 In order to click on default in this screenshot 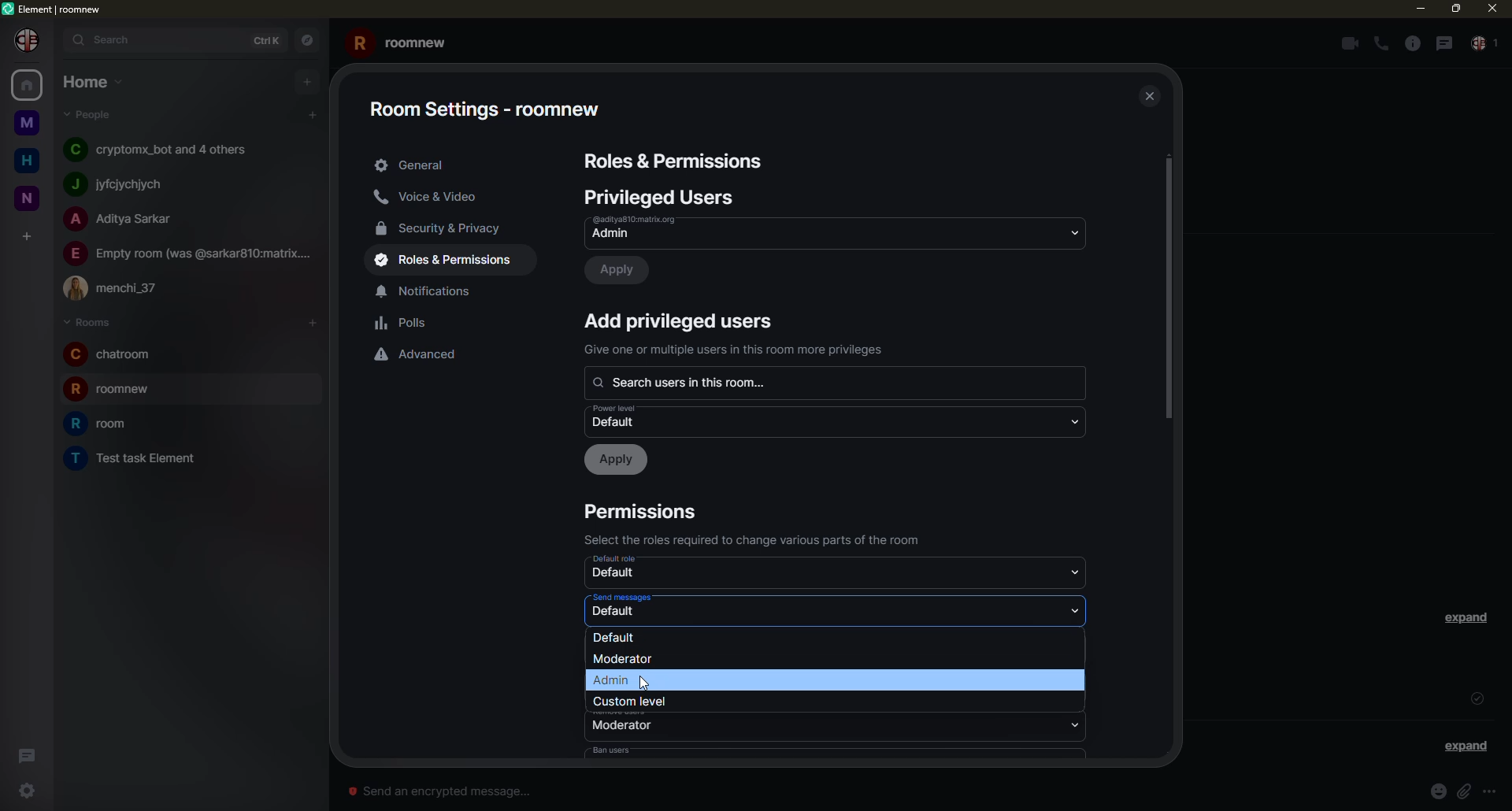, I will do `click(616, 575)`.